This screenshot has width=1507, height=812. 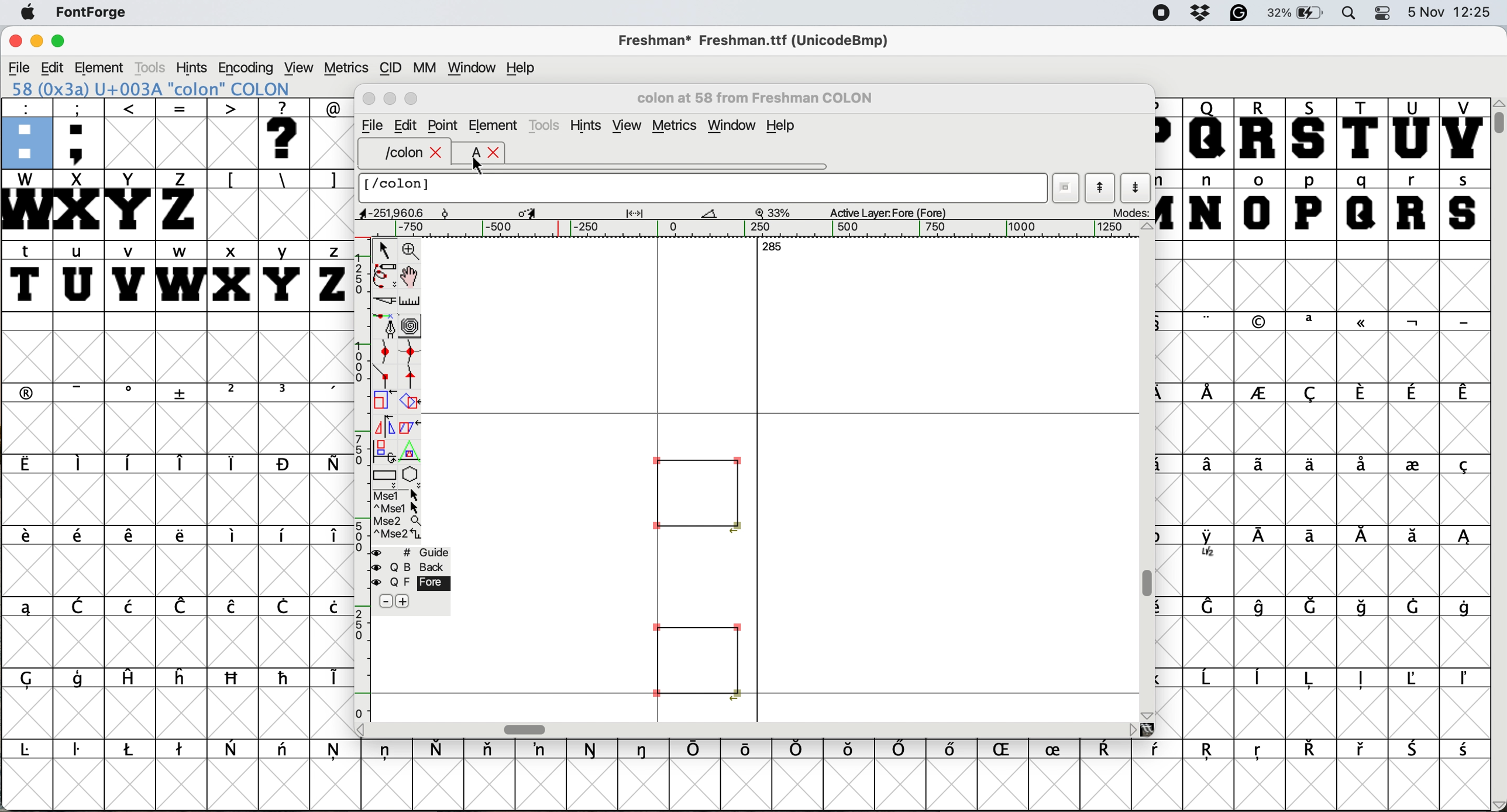 What do you see at coordinates (955, 752) in the screenshot?
I see `symbol` at bounding box center [955, 752].